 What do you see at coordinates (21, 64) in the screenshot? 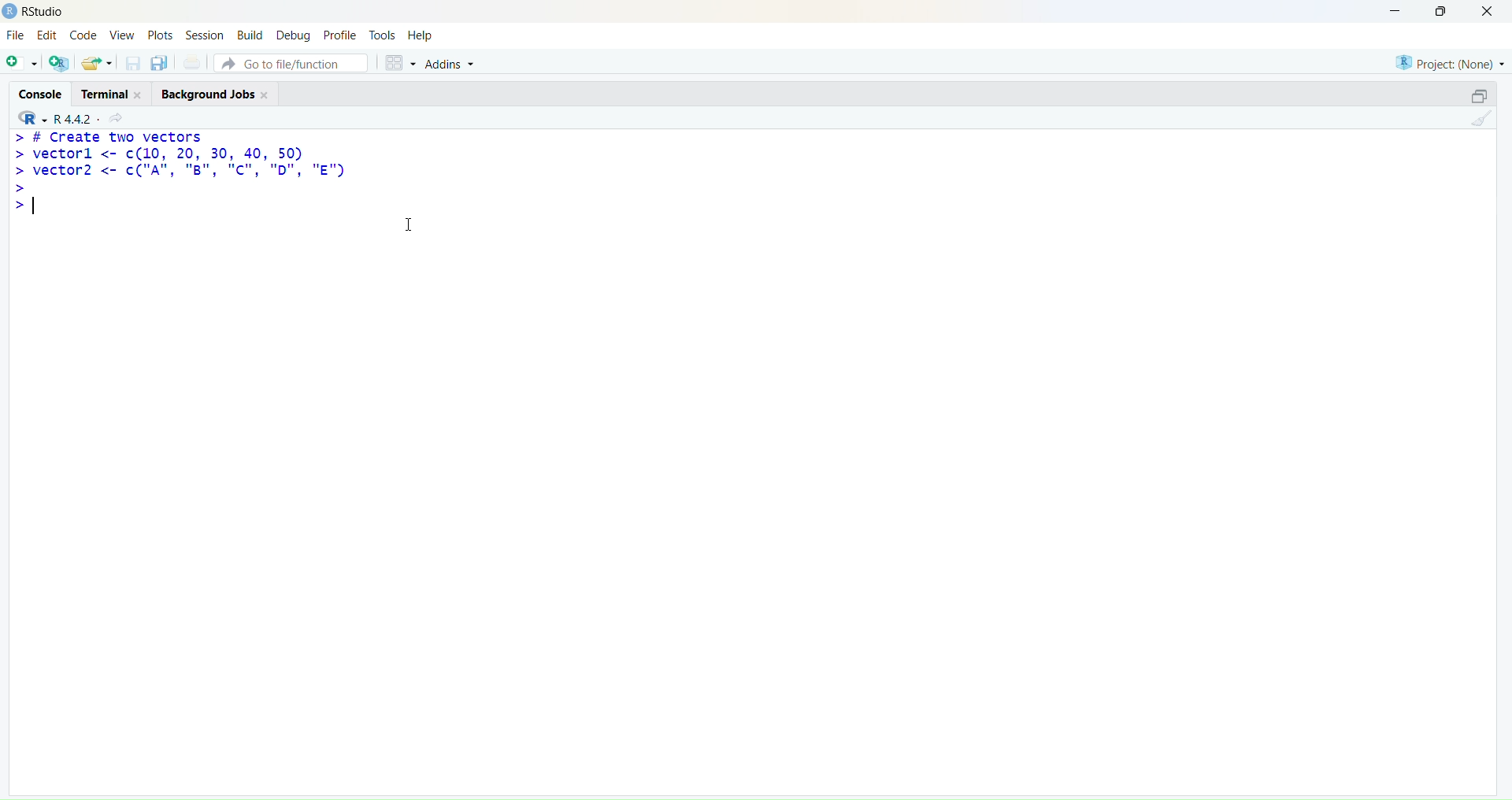
I see `New File` at bounding box center [21, 64].